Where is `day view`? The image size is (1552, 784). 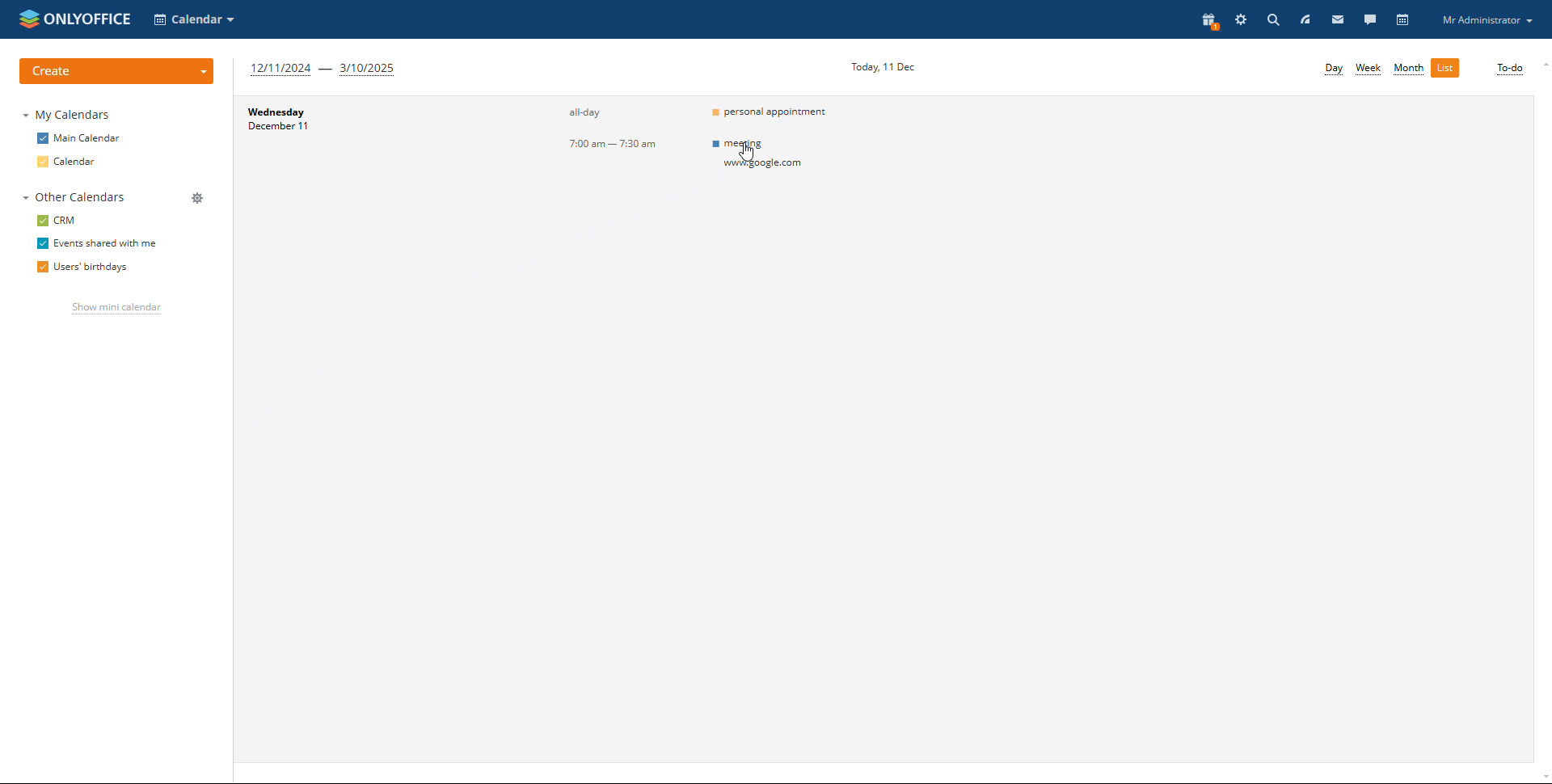
day view is located at coordinates (1334, 70).